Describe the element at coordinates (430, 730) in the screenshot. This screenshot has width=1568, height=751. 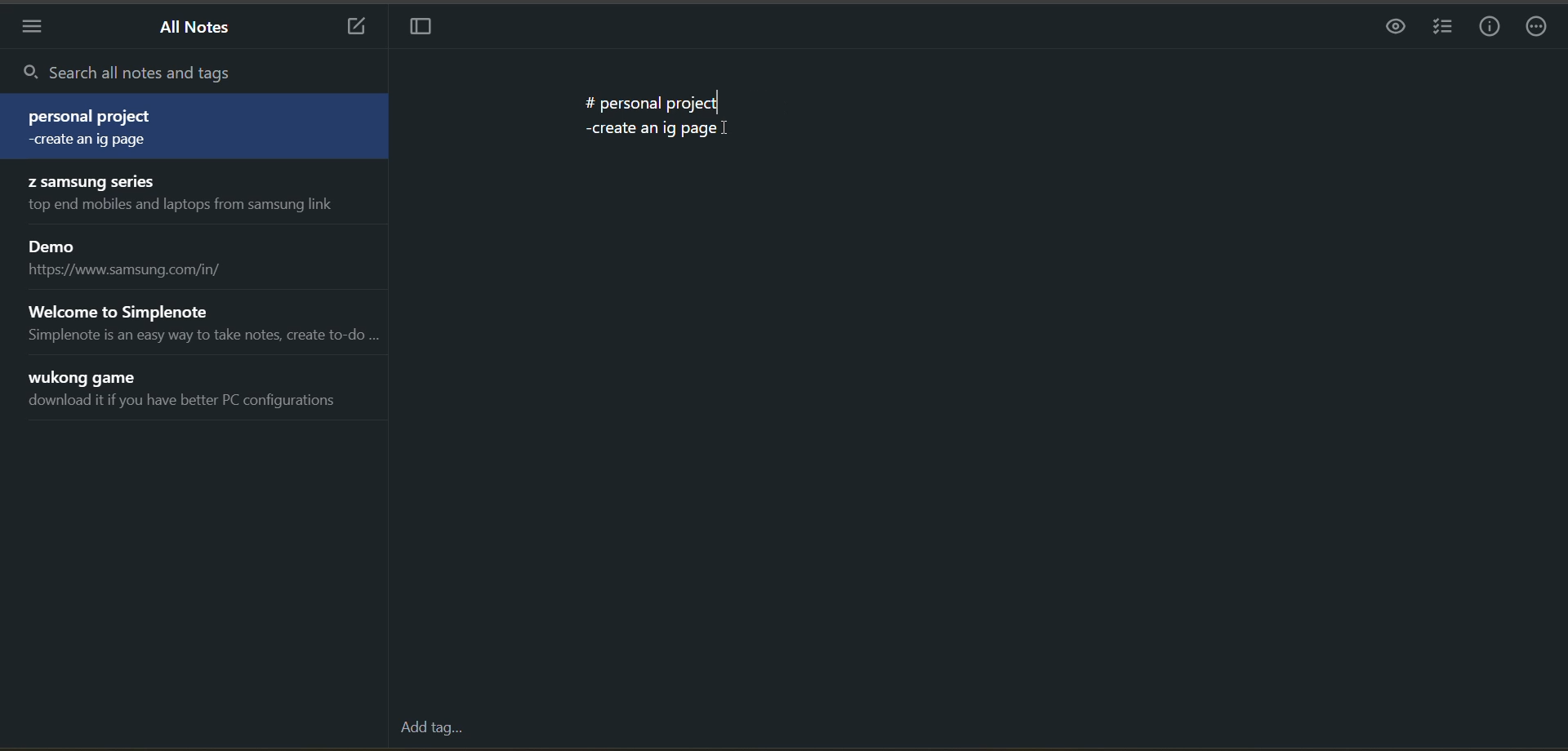
I see `add tag` at that location.